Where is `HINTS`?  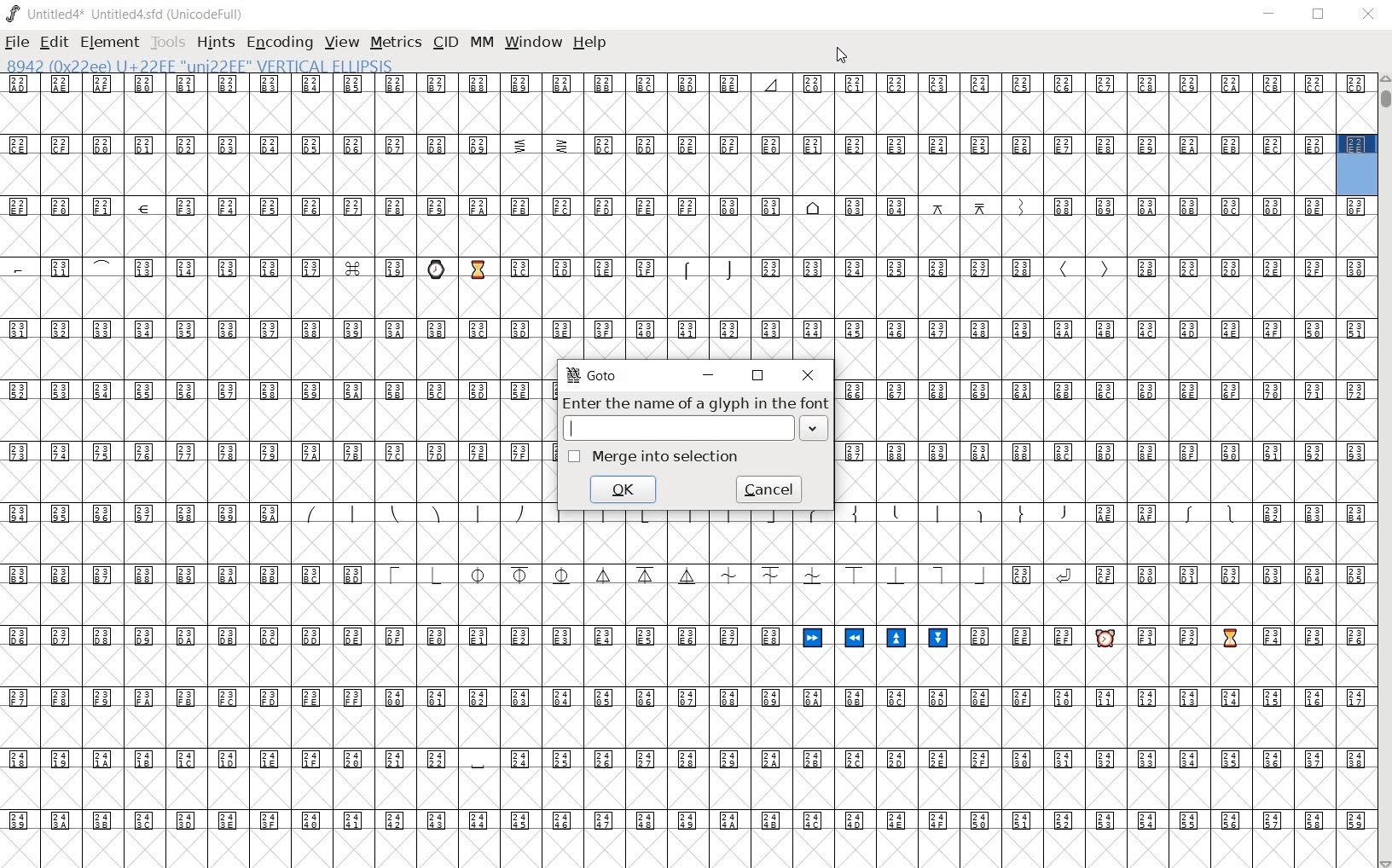
HINTS is located at coordinates (214, 42).